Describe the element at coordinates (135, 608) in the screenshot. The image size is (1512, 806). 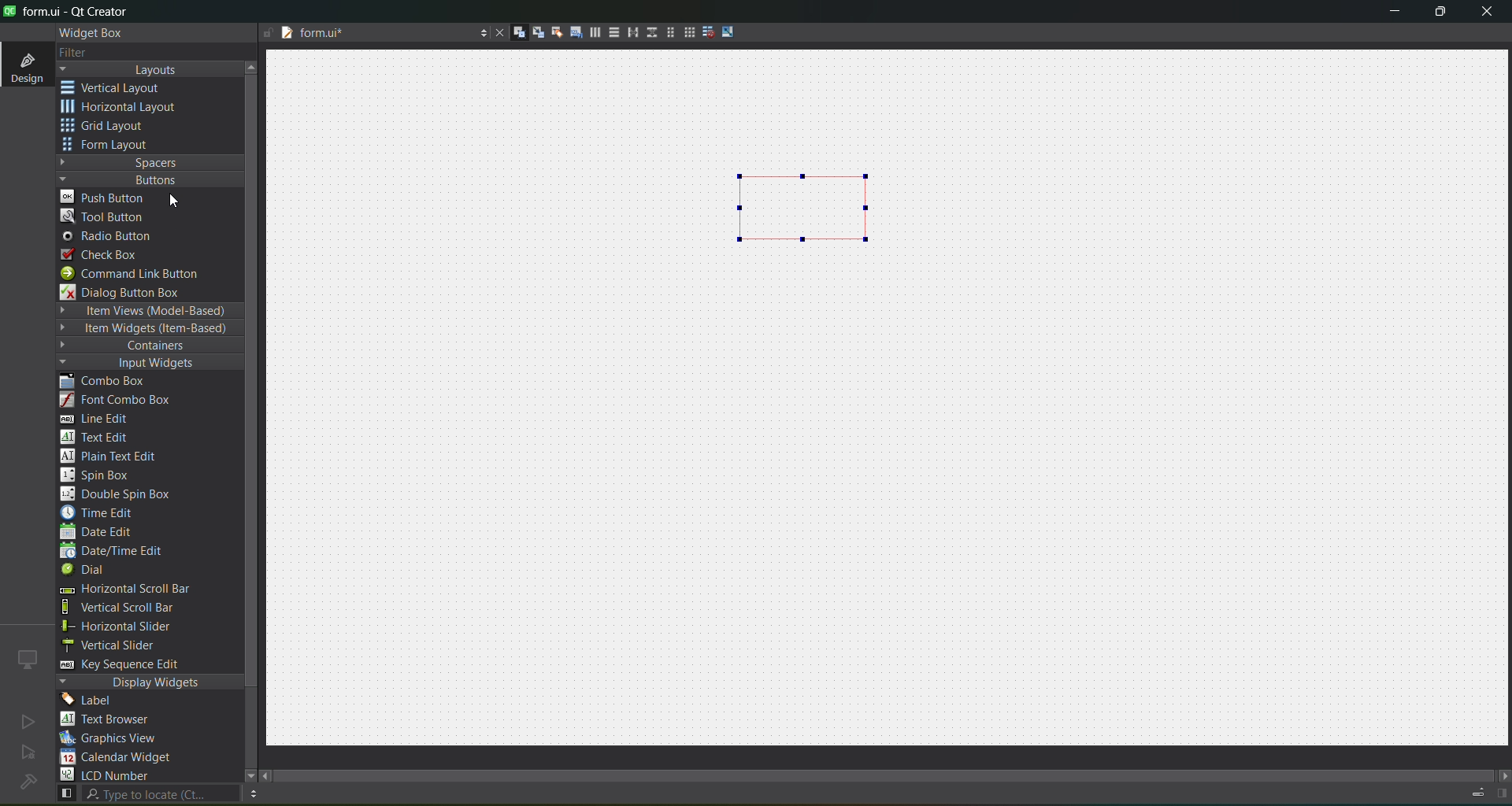
I see `vertical scroll bar` at that location.